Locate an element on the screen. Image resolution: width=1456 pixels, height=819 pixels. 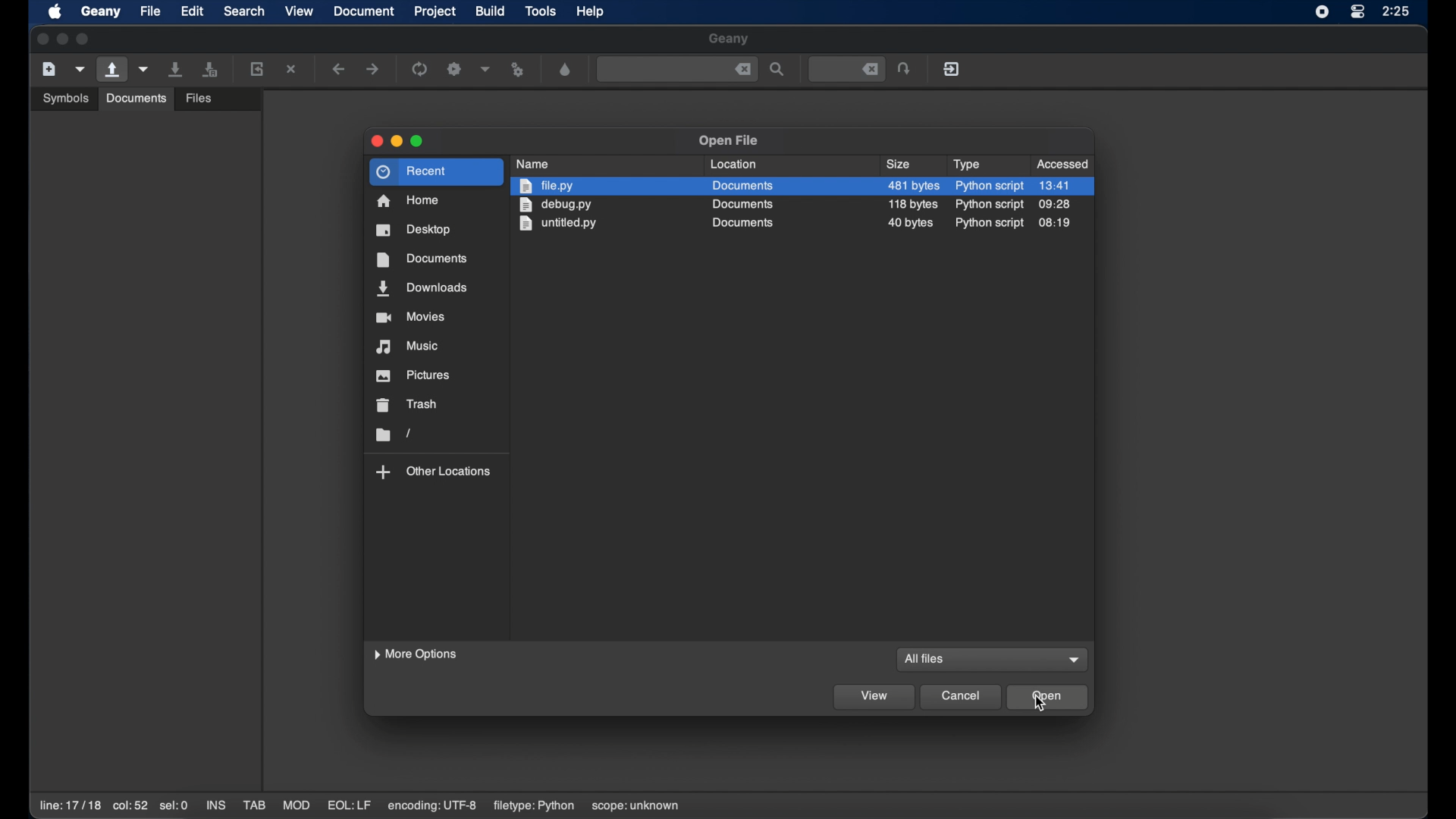
sel:0 is located at coordinates (174, 805).